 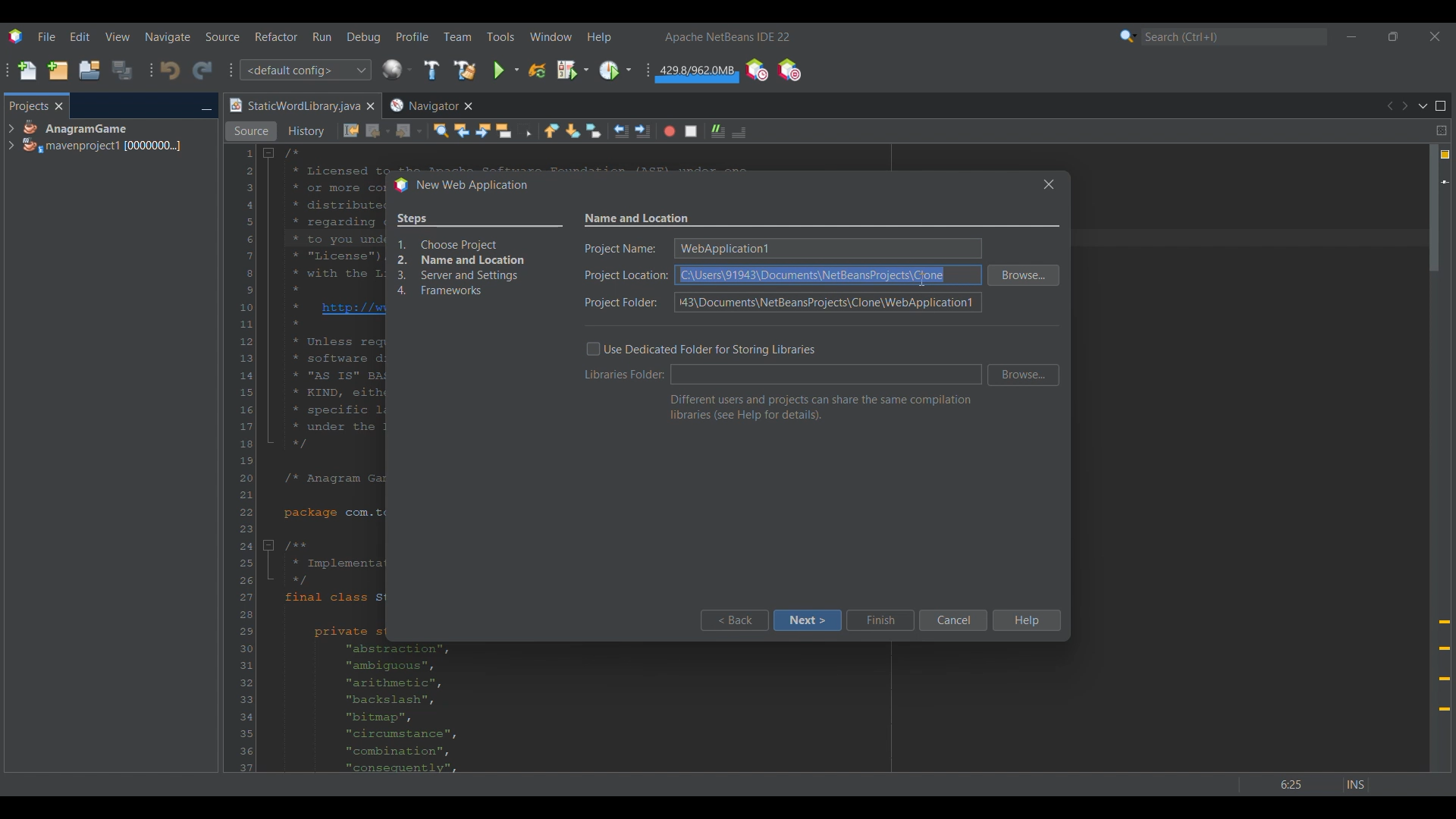 What do you see at coordinates (573, 131) in the screenshot?
I see `Next bookmark` at bounding box center [573, 131].